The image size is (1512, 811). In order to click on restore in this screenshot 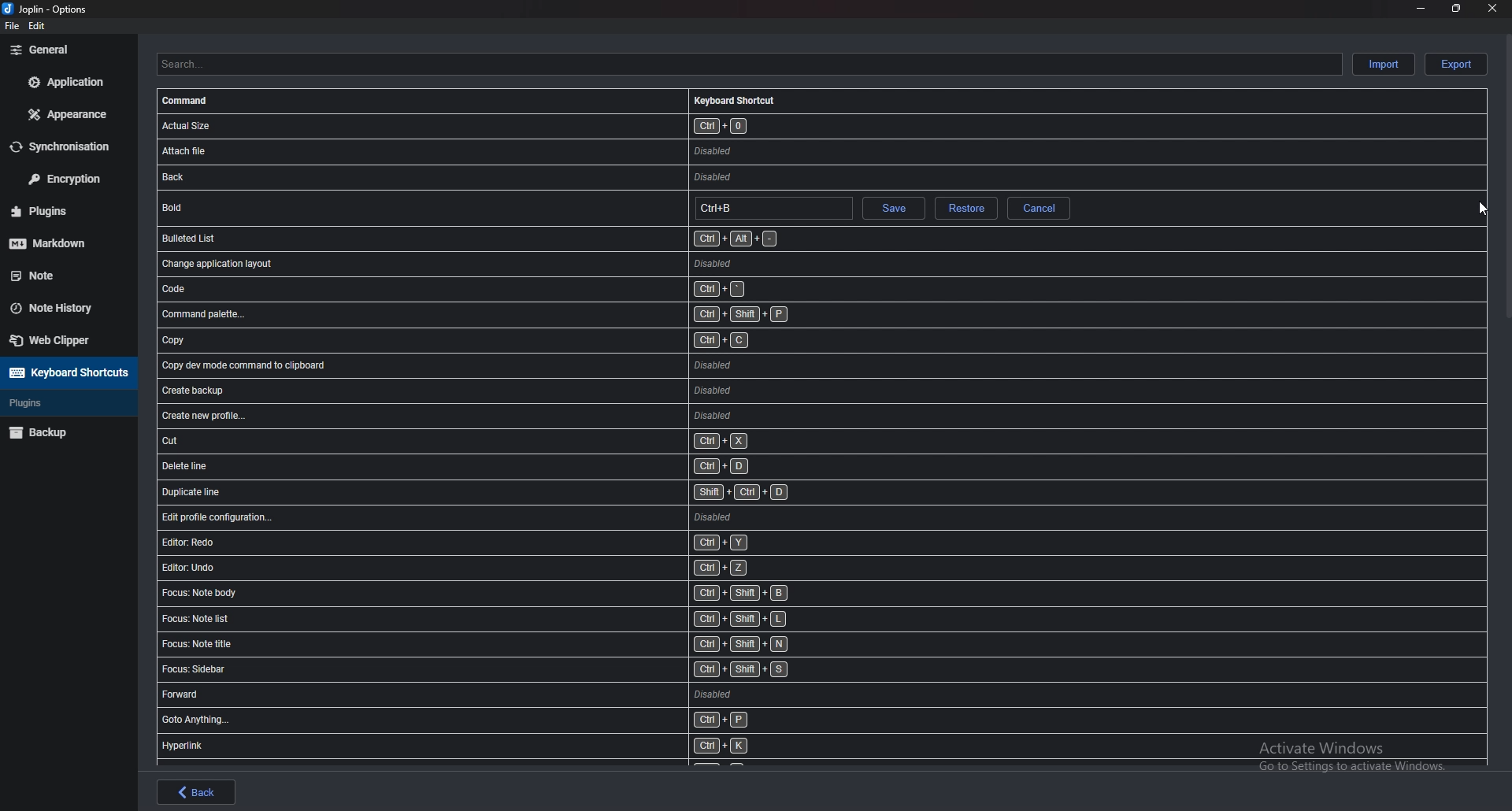, I will do `click(967, 208)`.